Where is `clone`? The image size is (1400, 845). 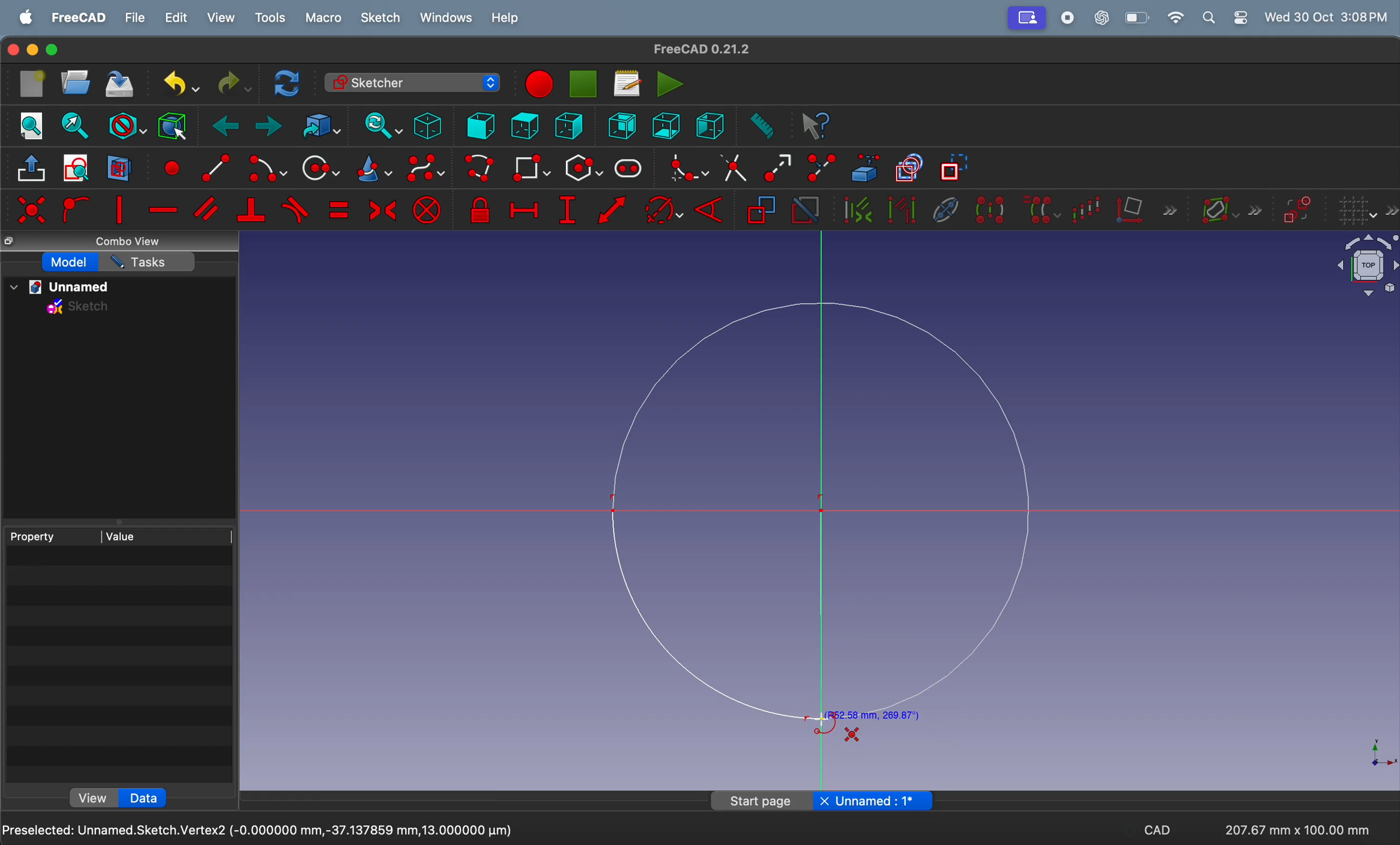 clone is located at coordinates (1041, 209).